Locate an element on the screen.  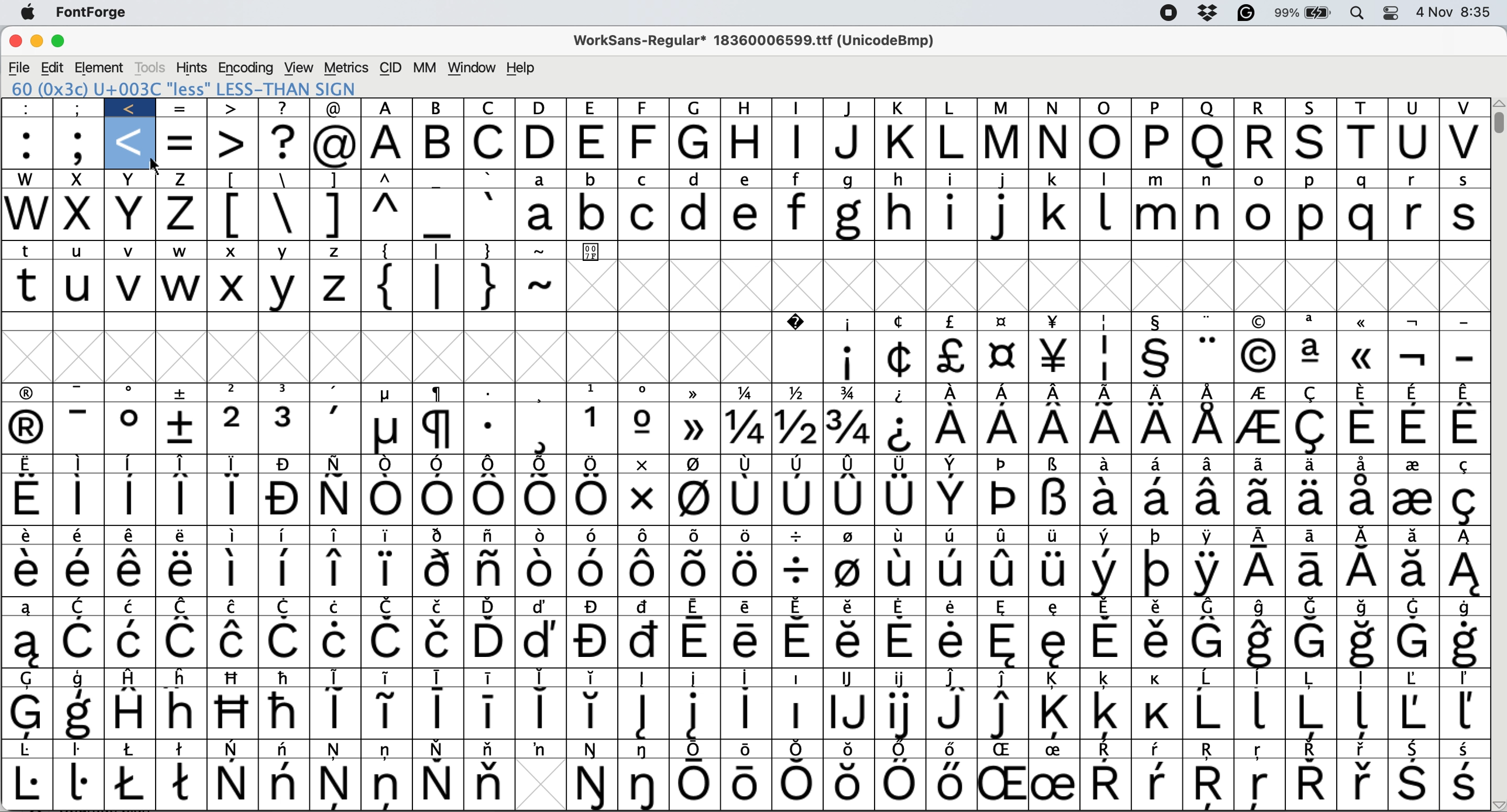
r is located at coordinates (1413, 214).